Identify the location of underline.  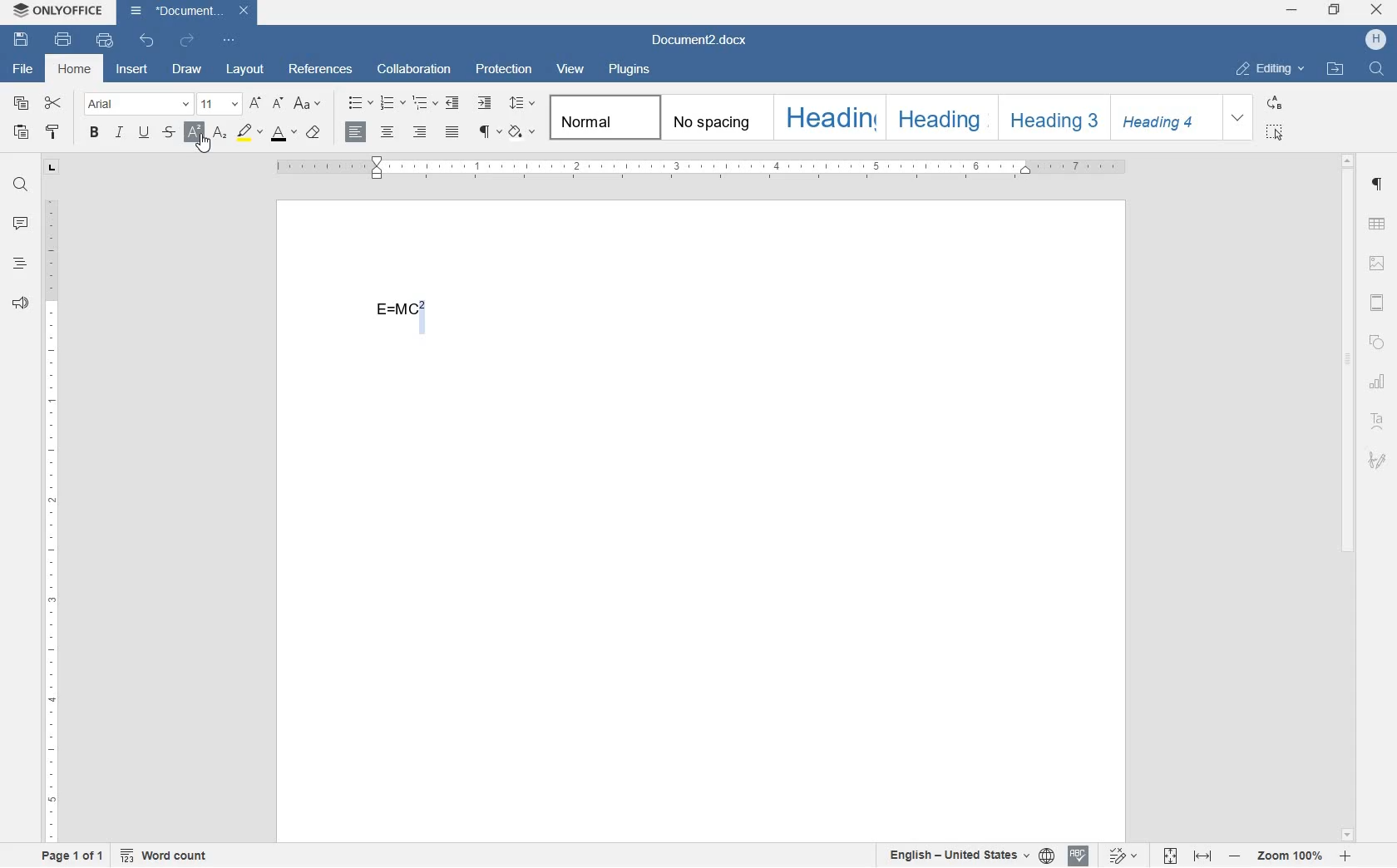
(146, 131).